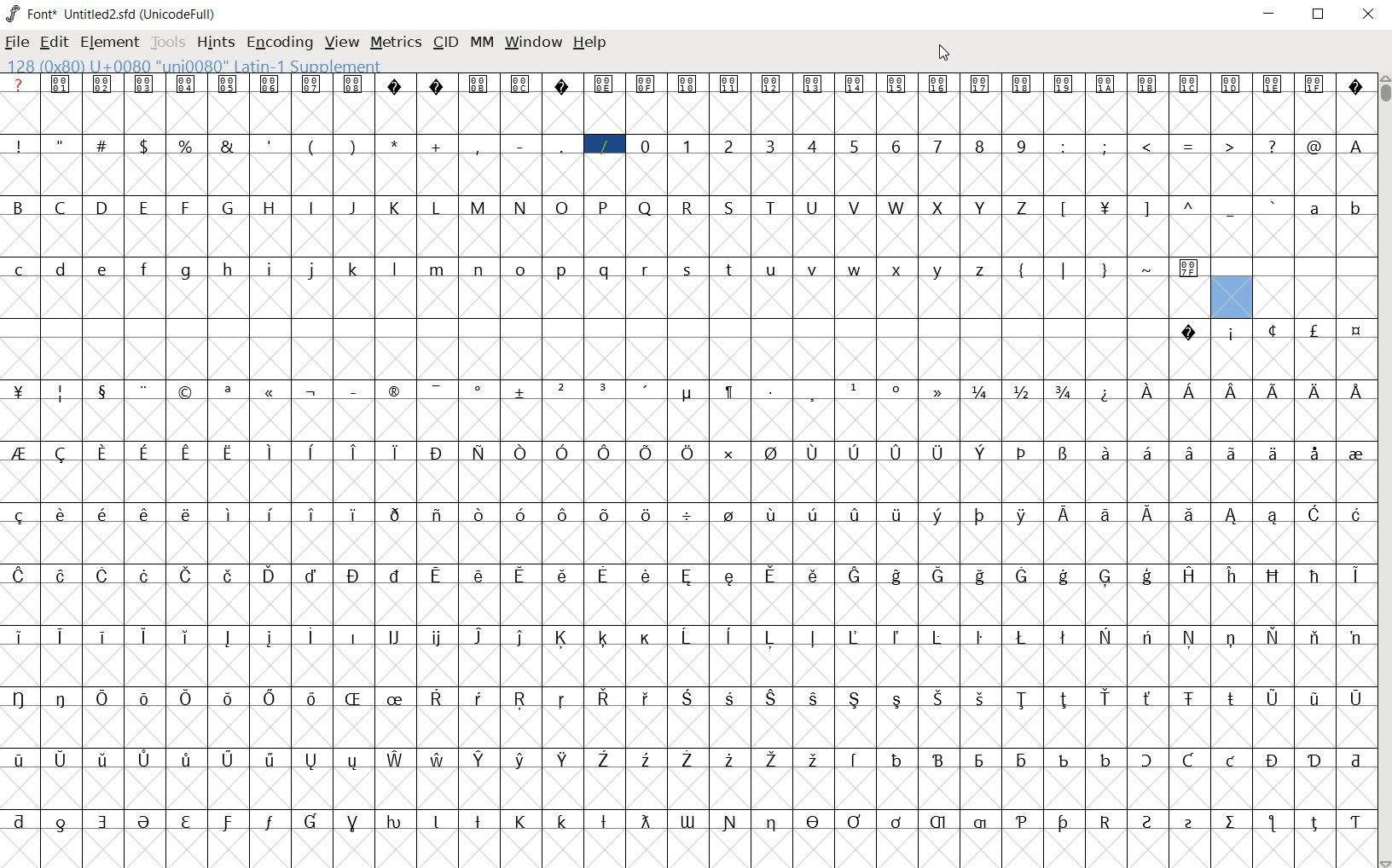  Describe the element at coordinates (229, 699) in the screenshot. I see `glyph` at that location.